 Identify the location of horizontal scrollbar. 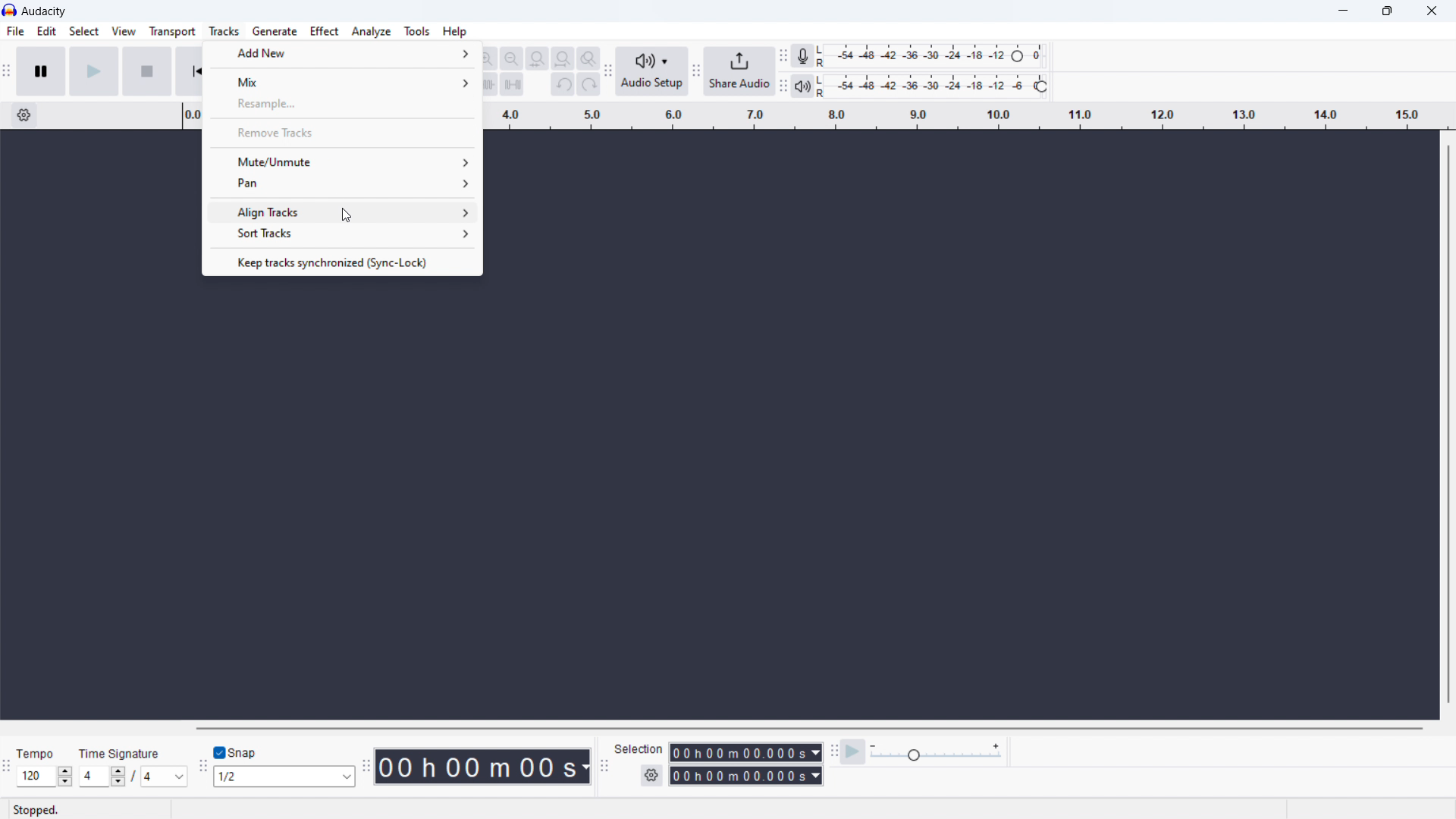
(808, 728).